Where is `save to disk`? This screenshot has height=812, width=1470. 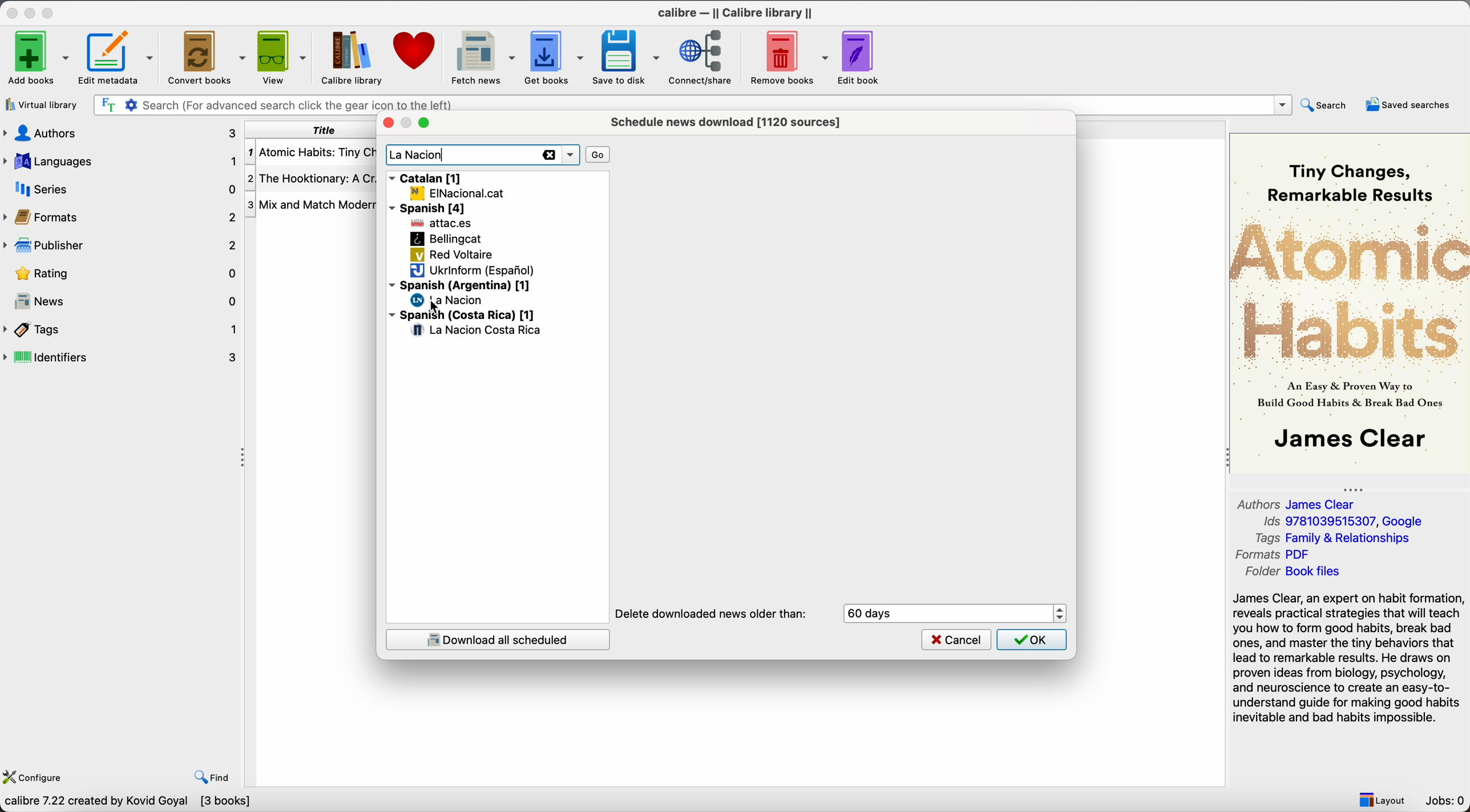 save to disk is located at coordinates (627, 57).